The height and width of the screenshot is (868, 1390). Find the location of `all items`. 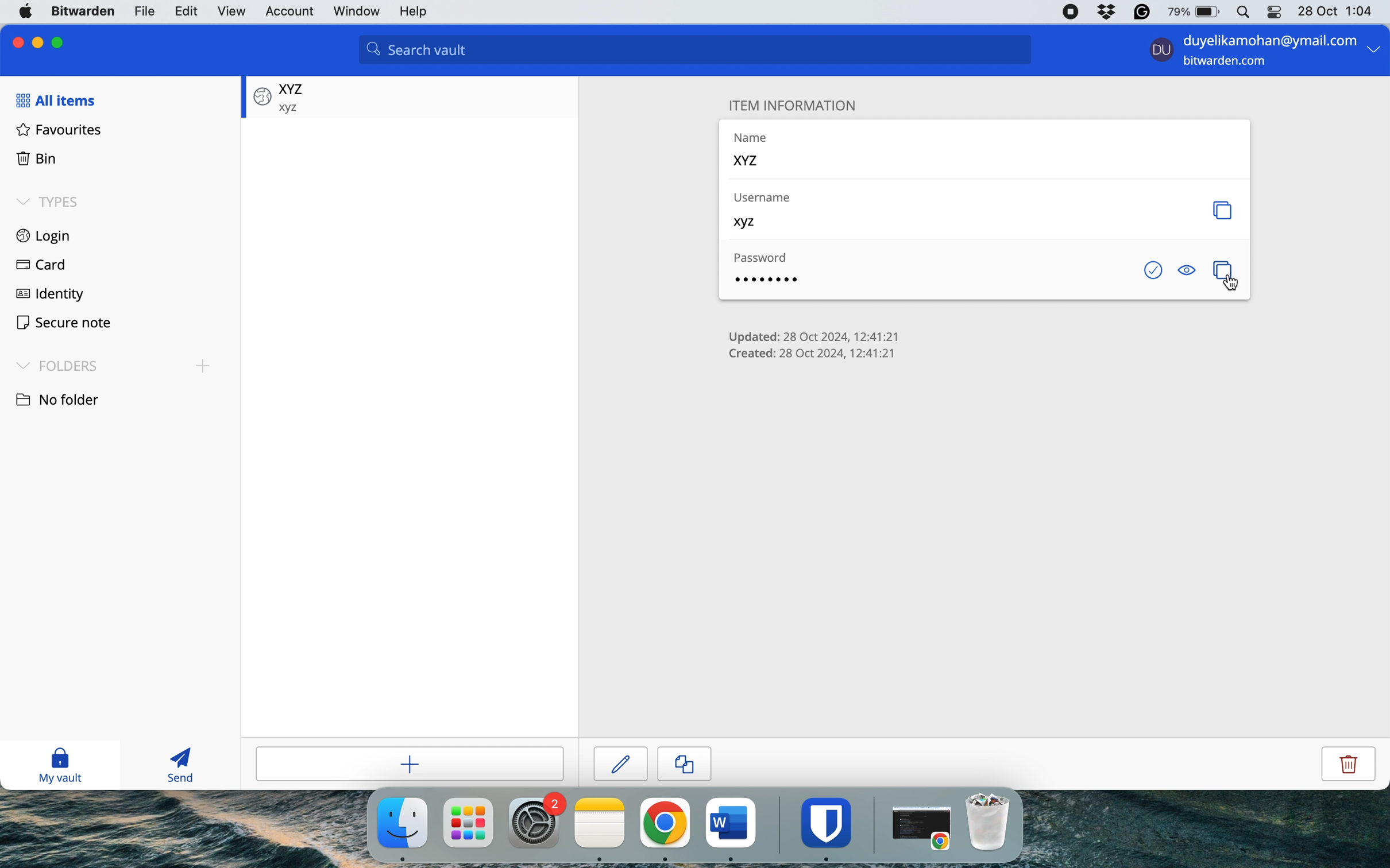

all items is located at coordinates (55, 100).